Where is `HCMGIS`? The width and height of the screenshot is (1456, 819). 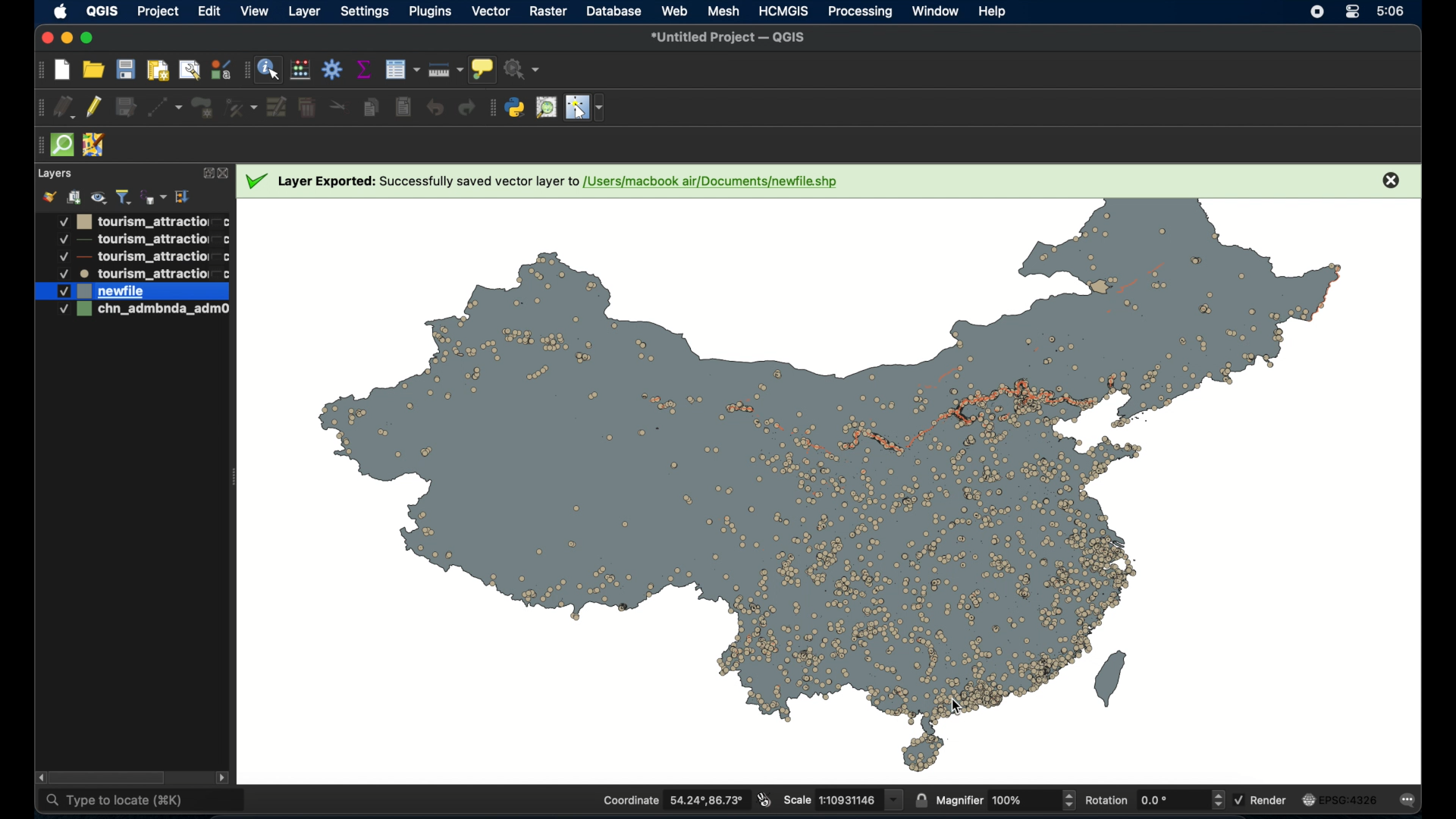
HCMGIS is located at coordinates (785, 11).